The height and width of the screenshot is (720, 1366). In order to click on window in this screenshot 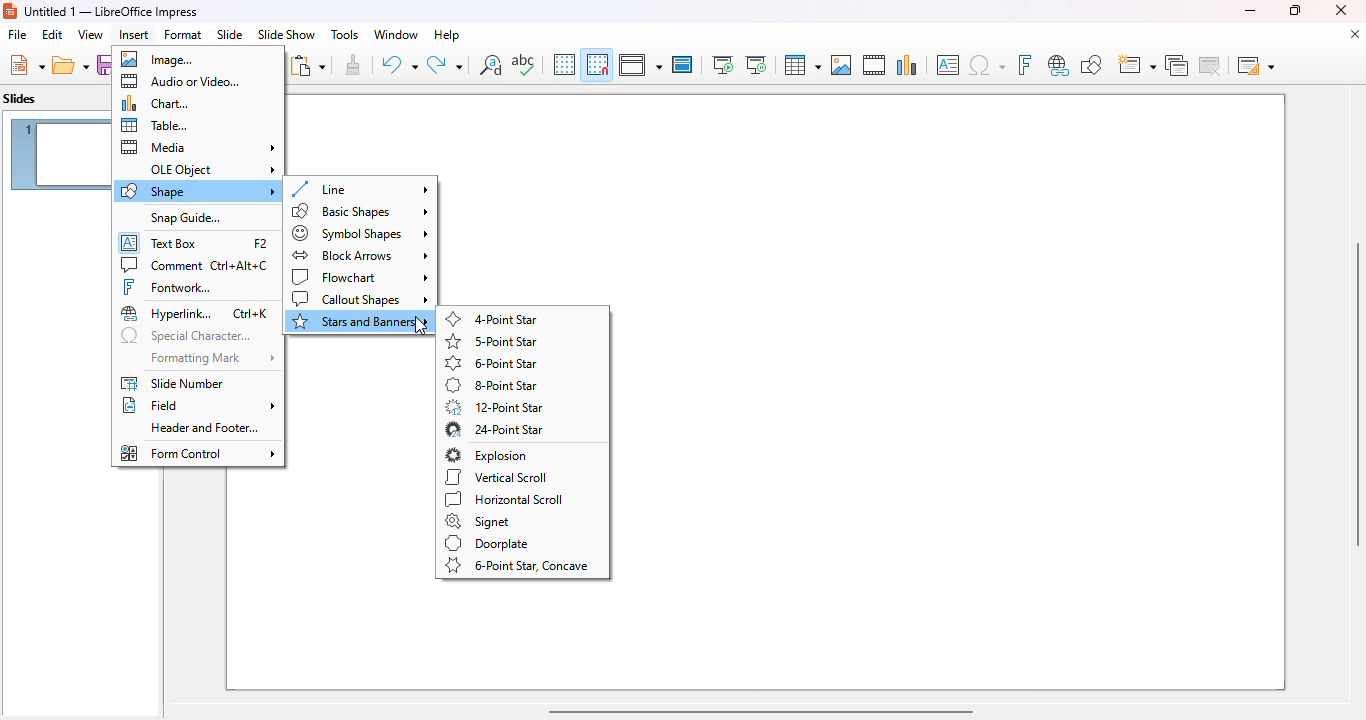, I will do `click(395, 34)`.